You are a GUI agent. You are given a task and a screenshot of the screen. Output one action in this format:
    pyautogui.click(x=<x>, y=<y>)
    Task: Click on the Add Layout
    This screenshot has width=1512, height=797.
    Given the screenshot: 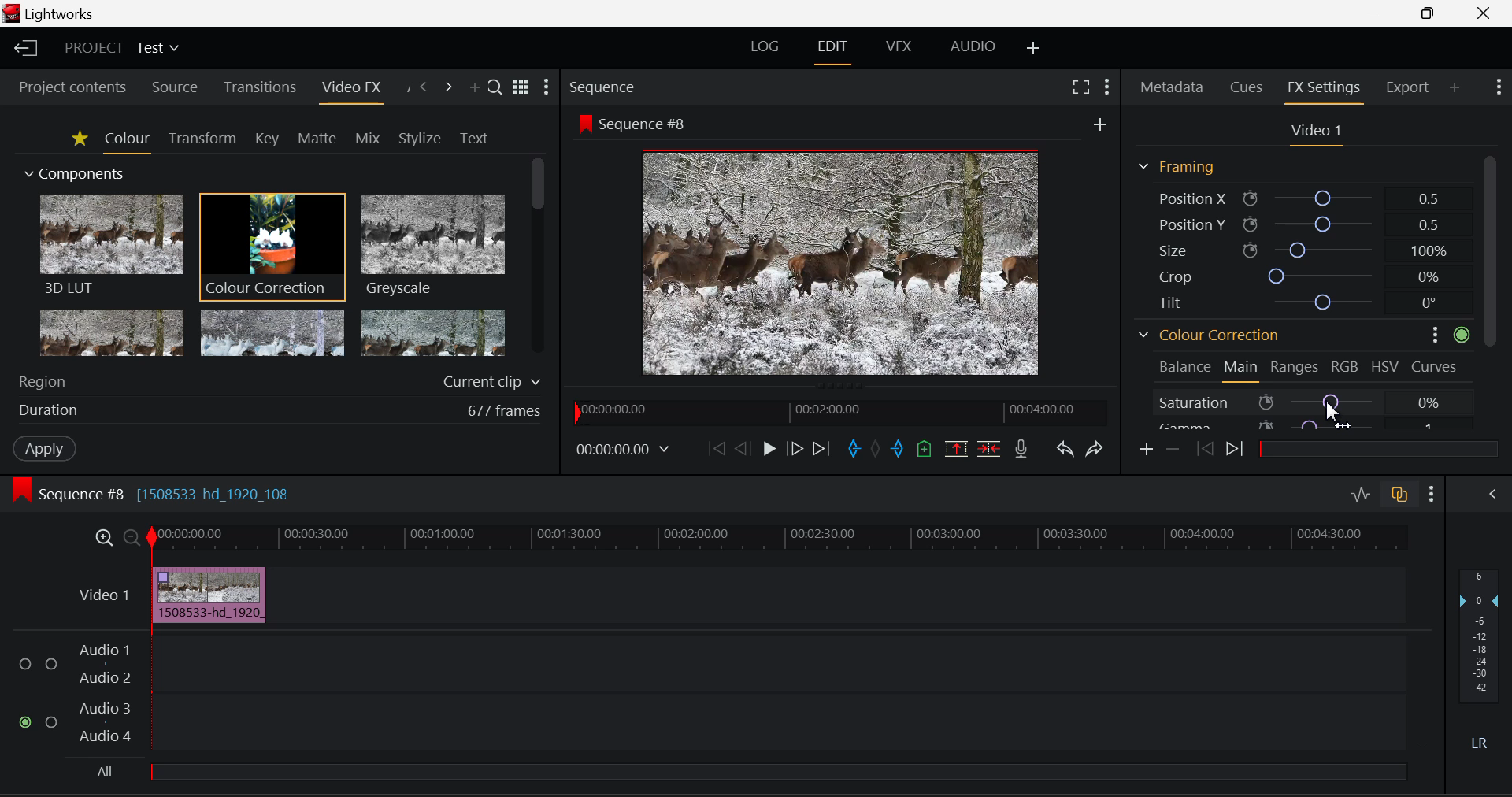 What is the action you would take?
    pyautogui.click(x=1034, y=46)
    